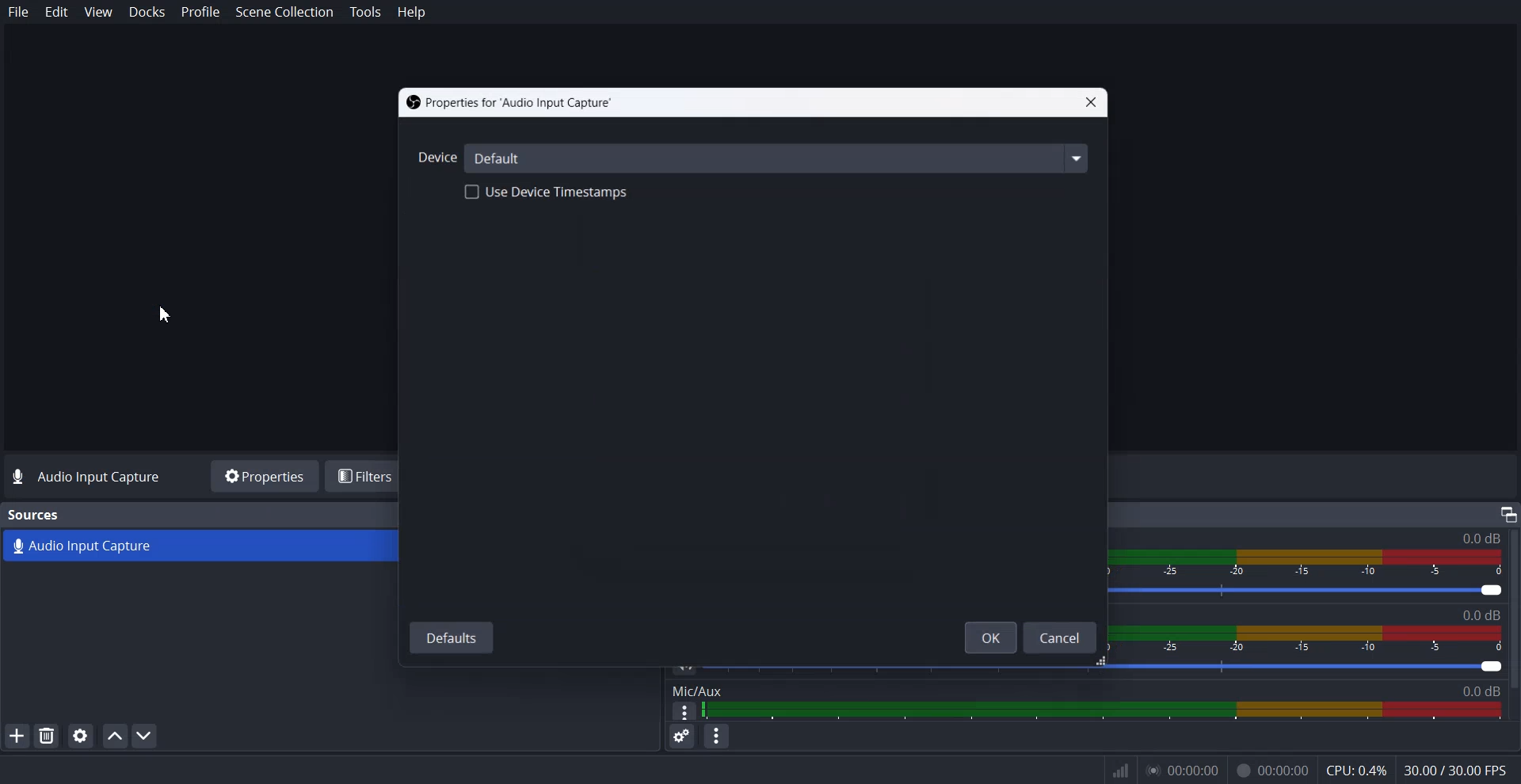 The image size is (1521, 784). What do you see at coordinates (35, 515) in the screenshot?
I see `Text` at bounding box center [35, 515].